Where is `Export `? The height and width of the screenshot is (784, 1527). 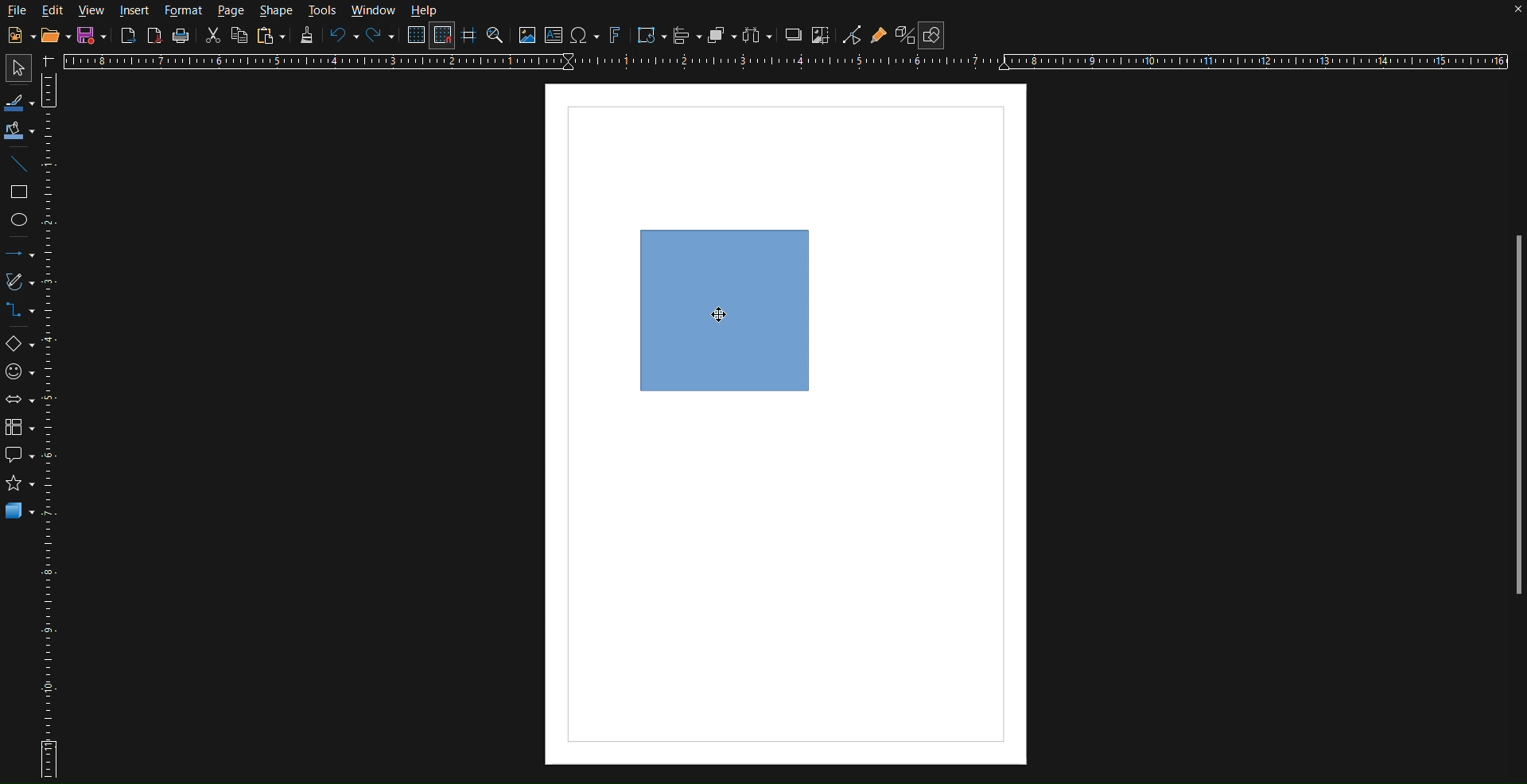 Export  is located at coordinates (127, 37).